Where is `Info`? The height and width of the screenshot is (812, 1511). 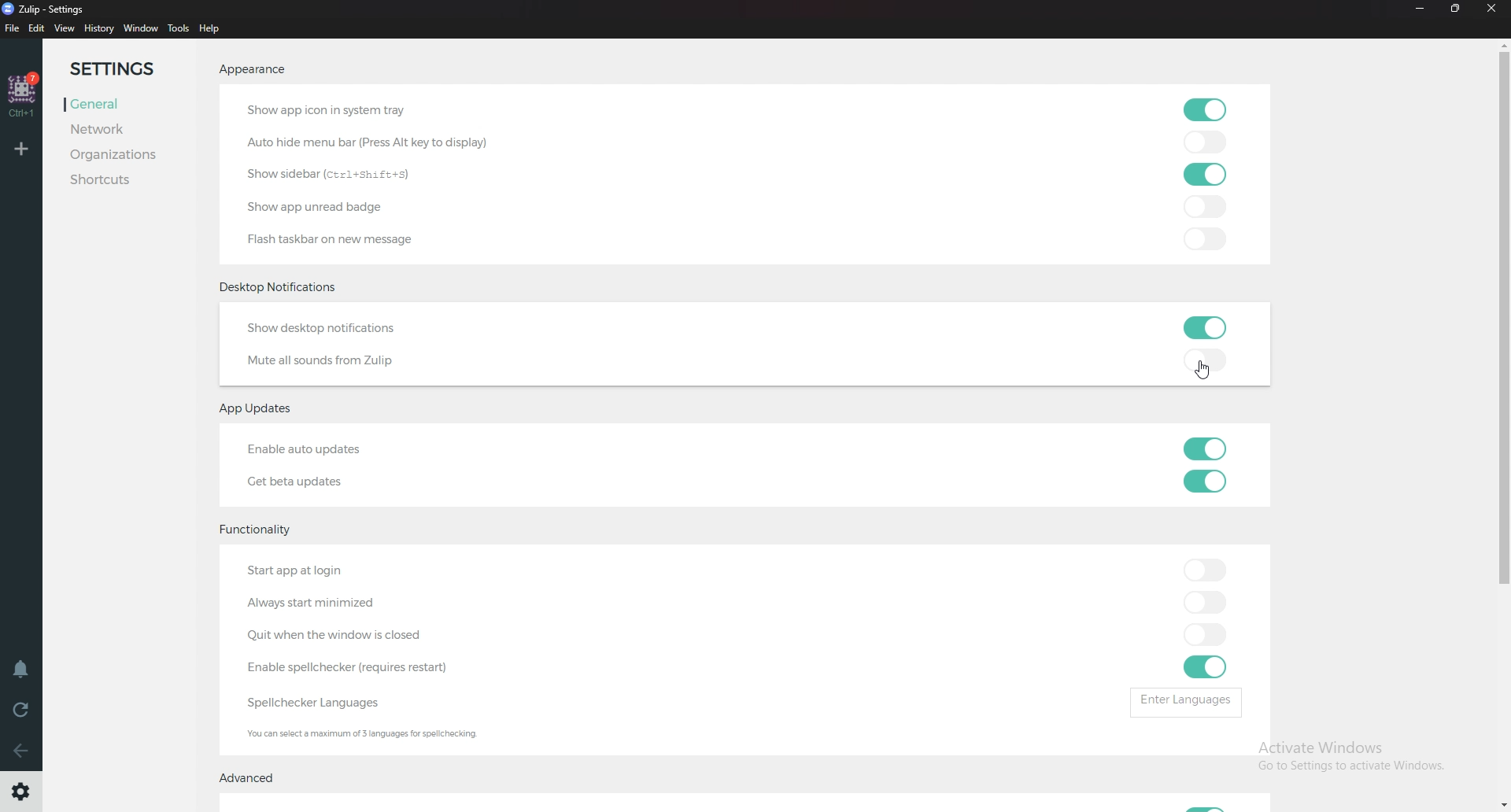 Info is located at coordinates (417, 735).